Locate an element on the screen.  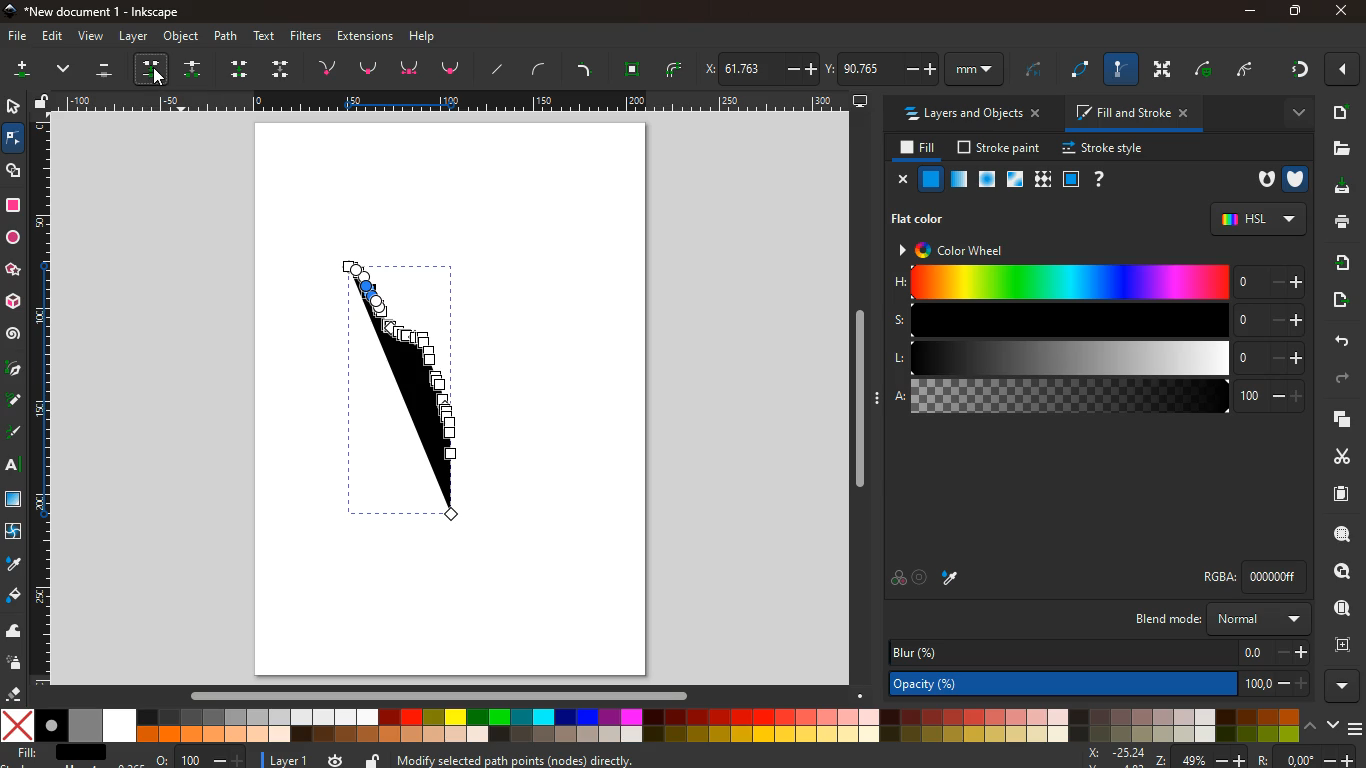
files is located at coordinates (1338, 148).